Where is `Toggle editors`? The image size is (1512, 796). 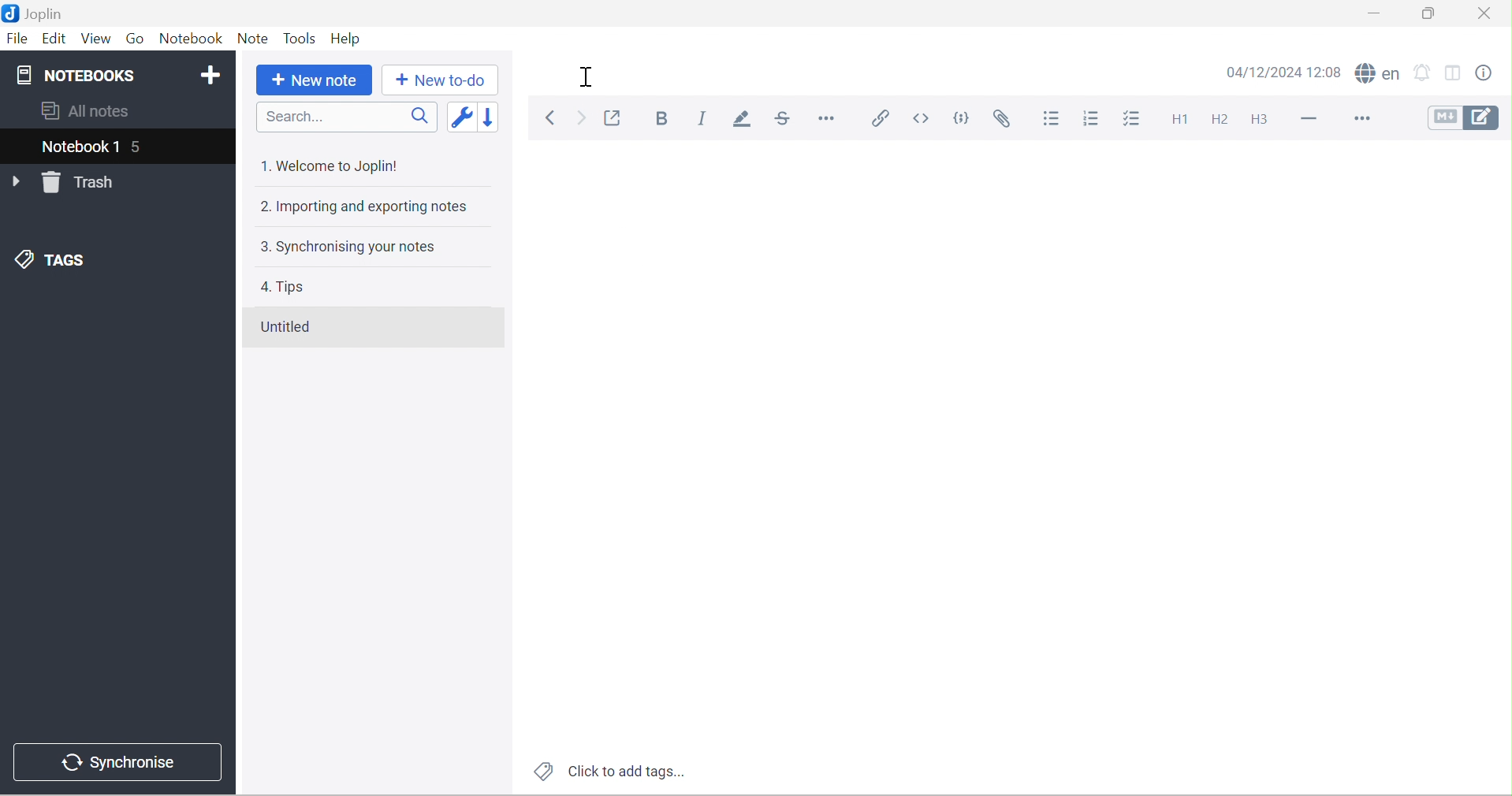
Toggle editors is located at coordinates (1468, 119).